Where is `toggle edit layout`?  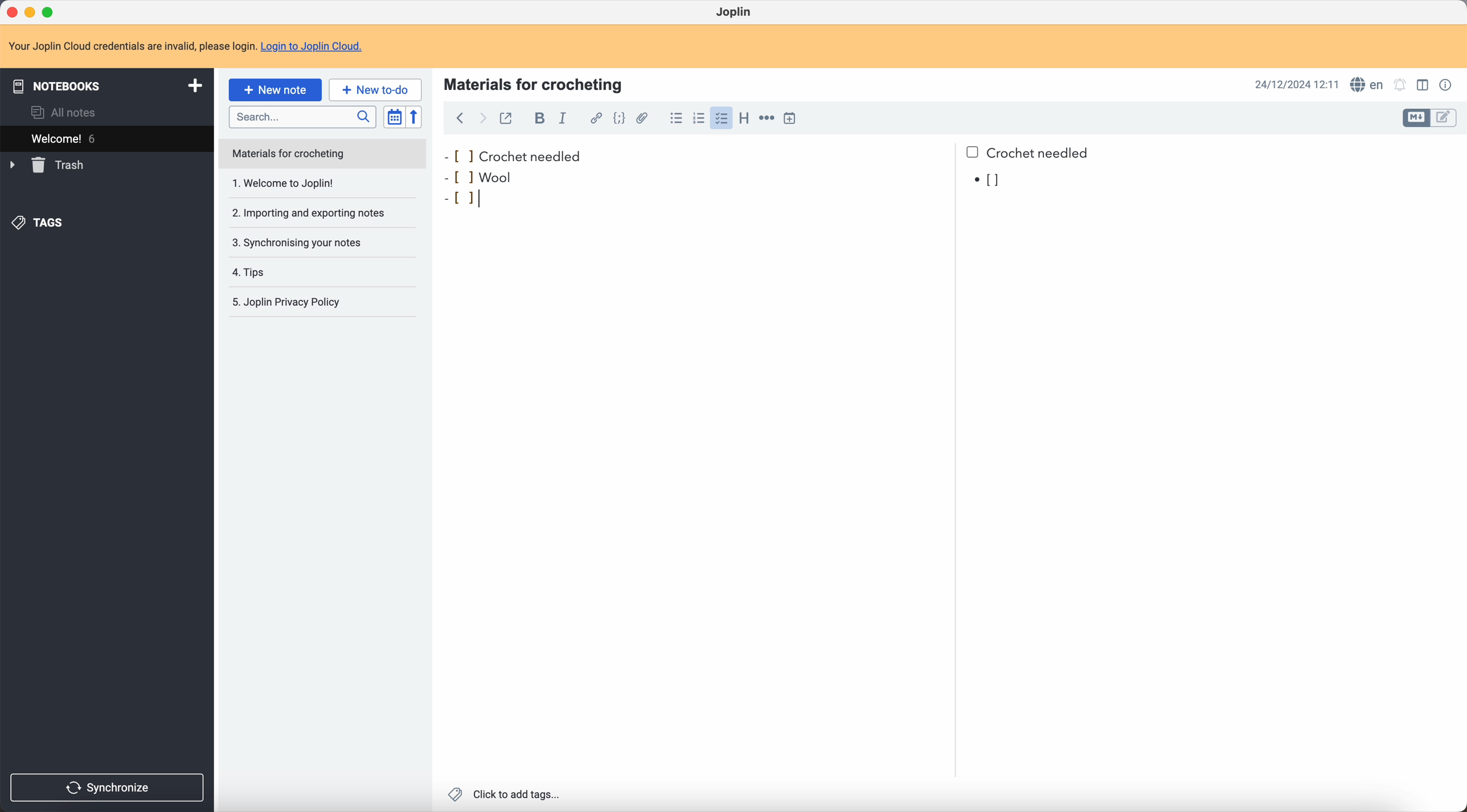
toggle edit layout is located at coordinates (1445, 117).